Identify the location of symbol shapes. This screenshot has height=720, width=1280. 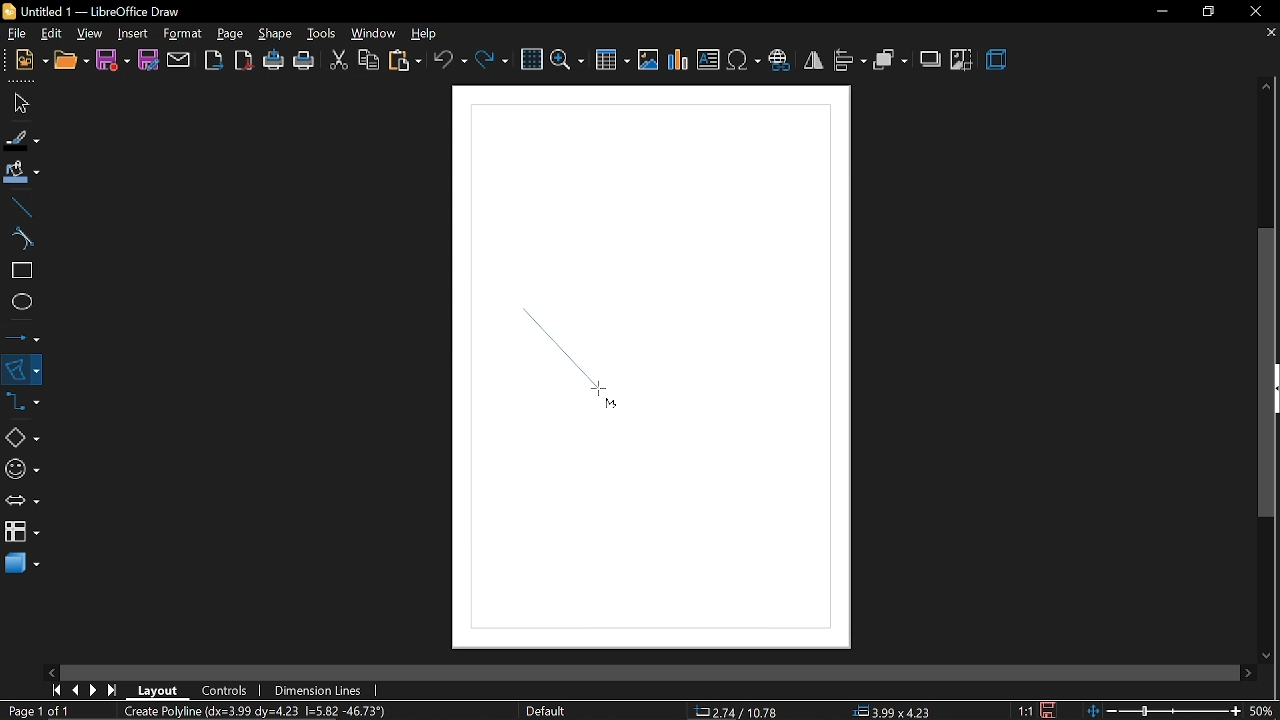
(21, 469).